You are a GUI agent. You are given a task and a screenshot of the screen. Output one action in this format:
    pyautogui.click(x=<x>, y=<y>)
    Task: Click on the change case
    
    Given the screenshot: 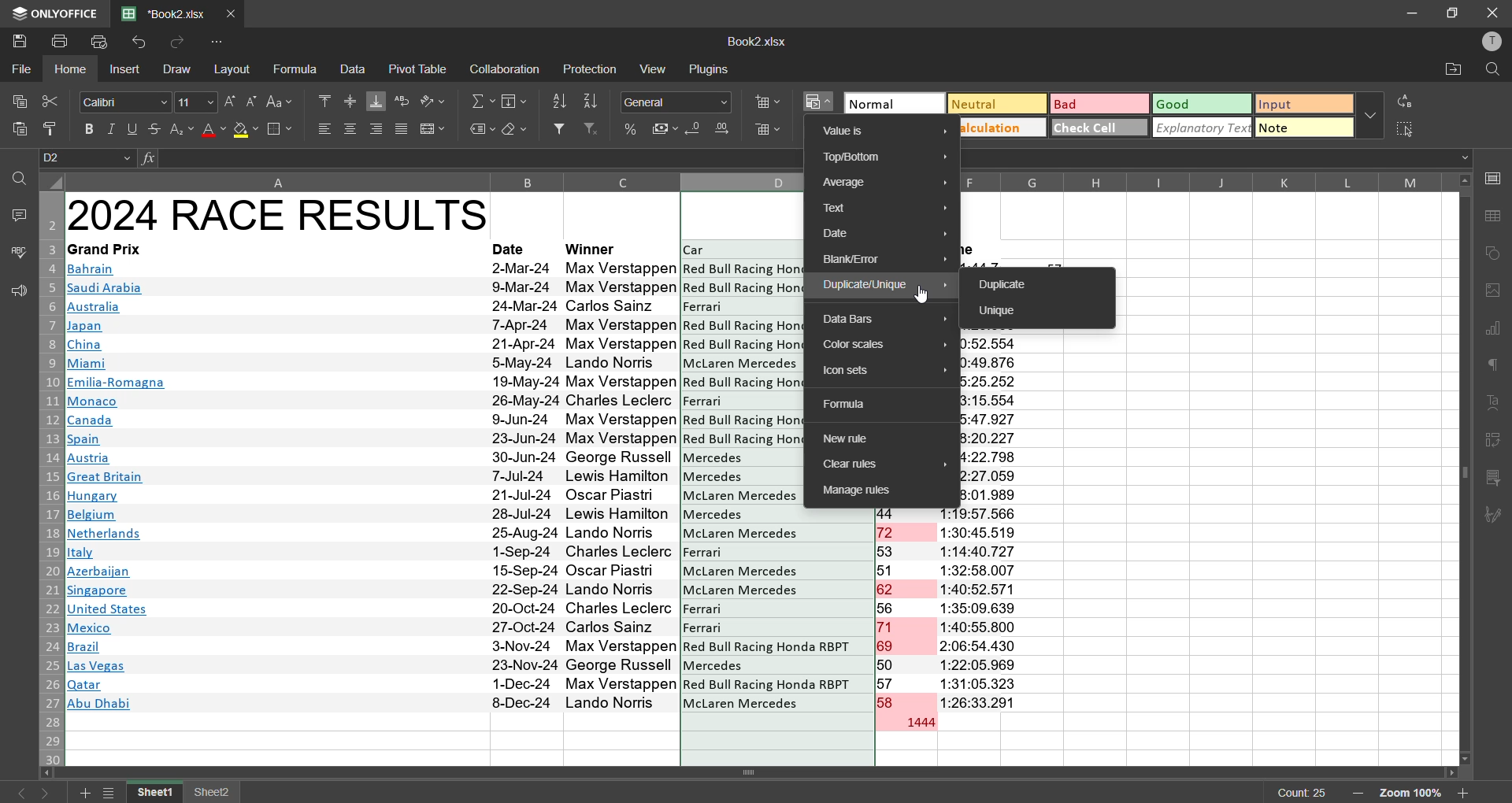 What is the action you would take?
    pyautogui.click(x=283, y=101)
    